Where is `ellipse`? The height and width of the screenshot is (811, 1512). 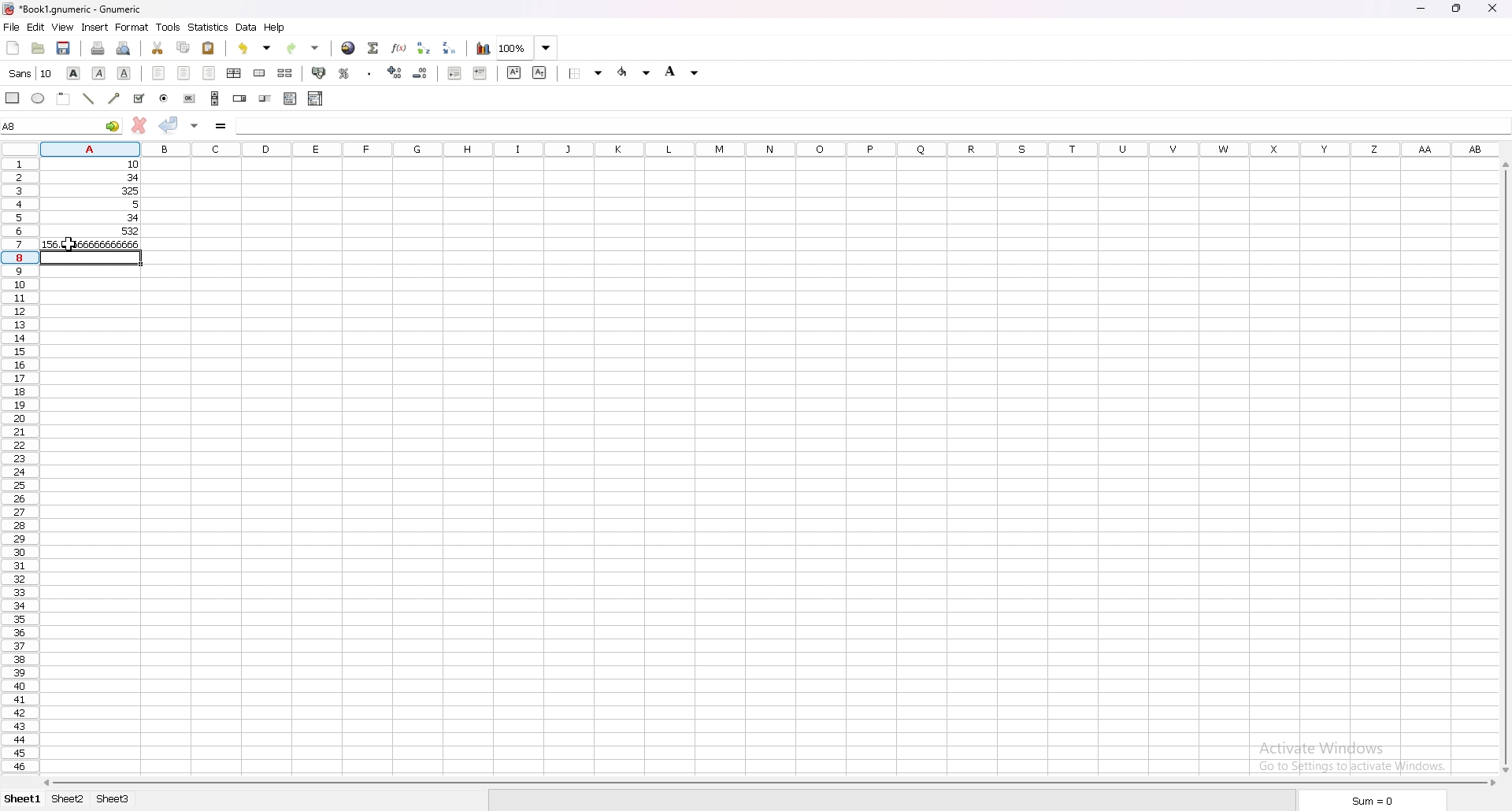 ellipse is located at coordinates (38, 97).